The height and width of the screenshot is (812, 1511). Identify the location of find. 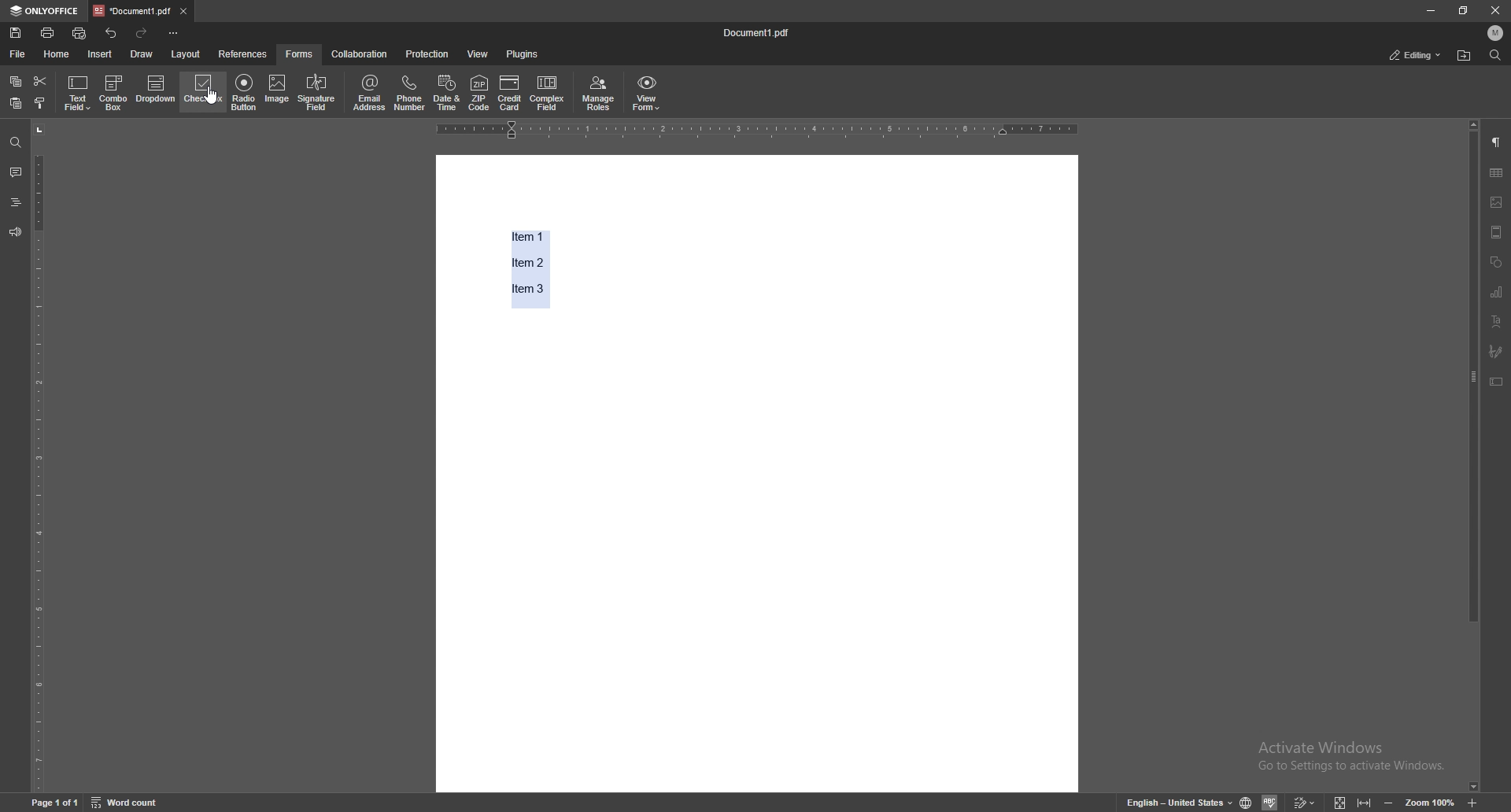
(15, 142).